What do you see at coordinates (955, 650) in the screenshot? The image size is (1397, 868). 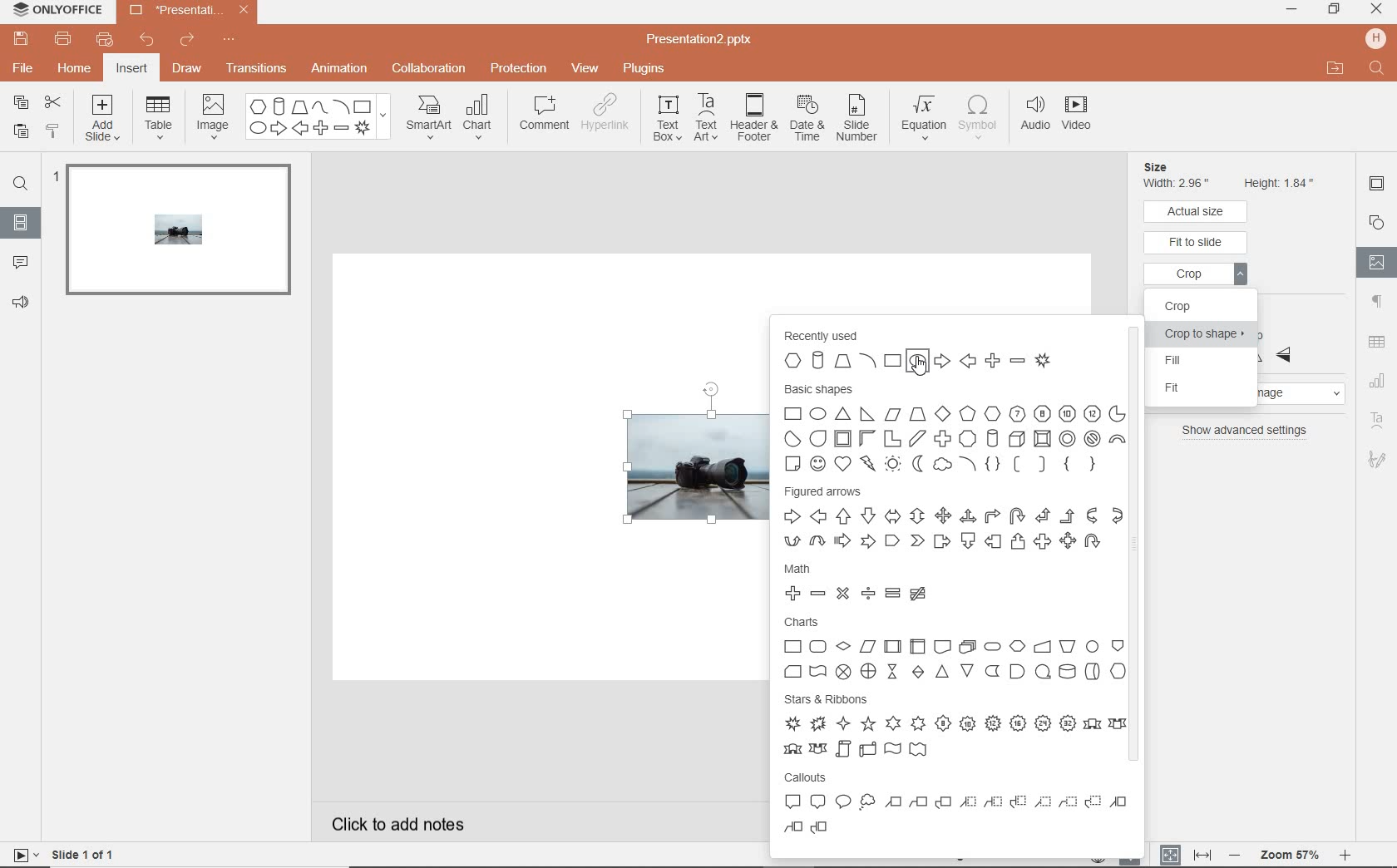 I see `charts` at bounding box center [955, 650].